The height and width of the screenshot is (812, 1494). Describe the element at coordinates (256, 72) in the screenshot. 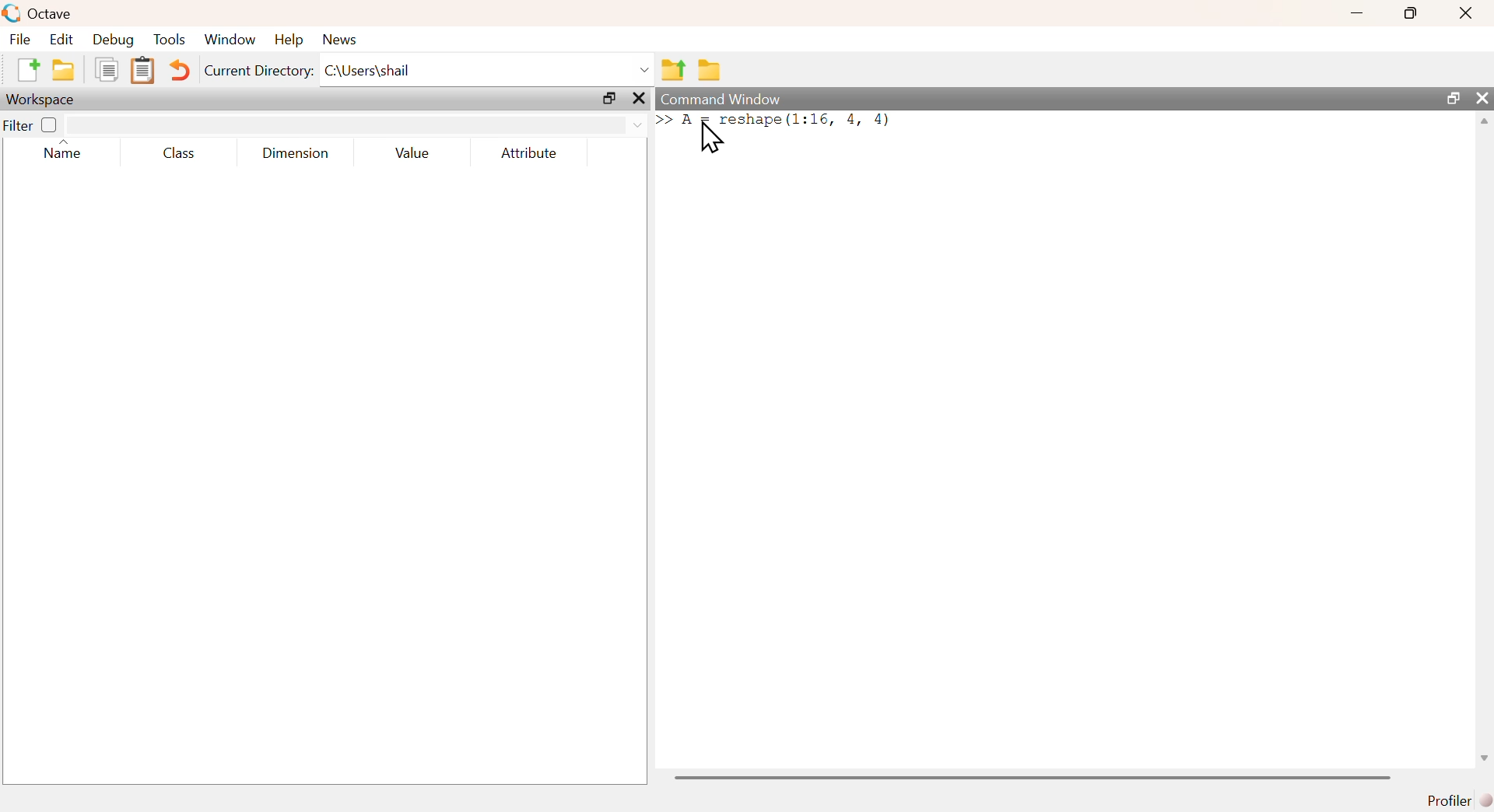

I see `Current Directory:` at that location.